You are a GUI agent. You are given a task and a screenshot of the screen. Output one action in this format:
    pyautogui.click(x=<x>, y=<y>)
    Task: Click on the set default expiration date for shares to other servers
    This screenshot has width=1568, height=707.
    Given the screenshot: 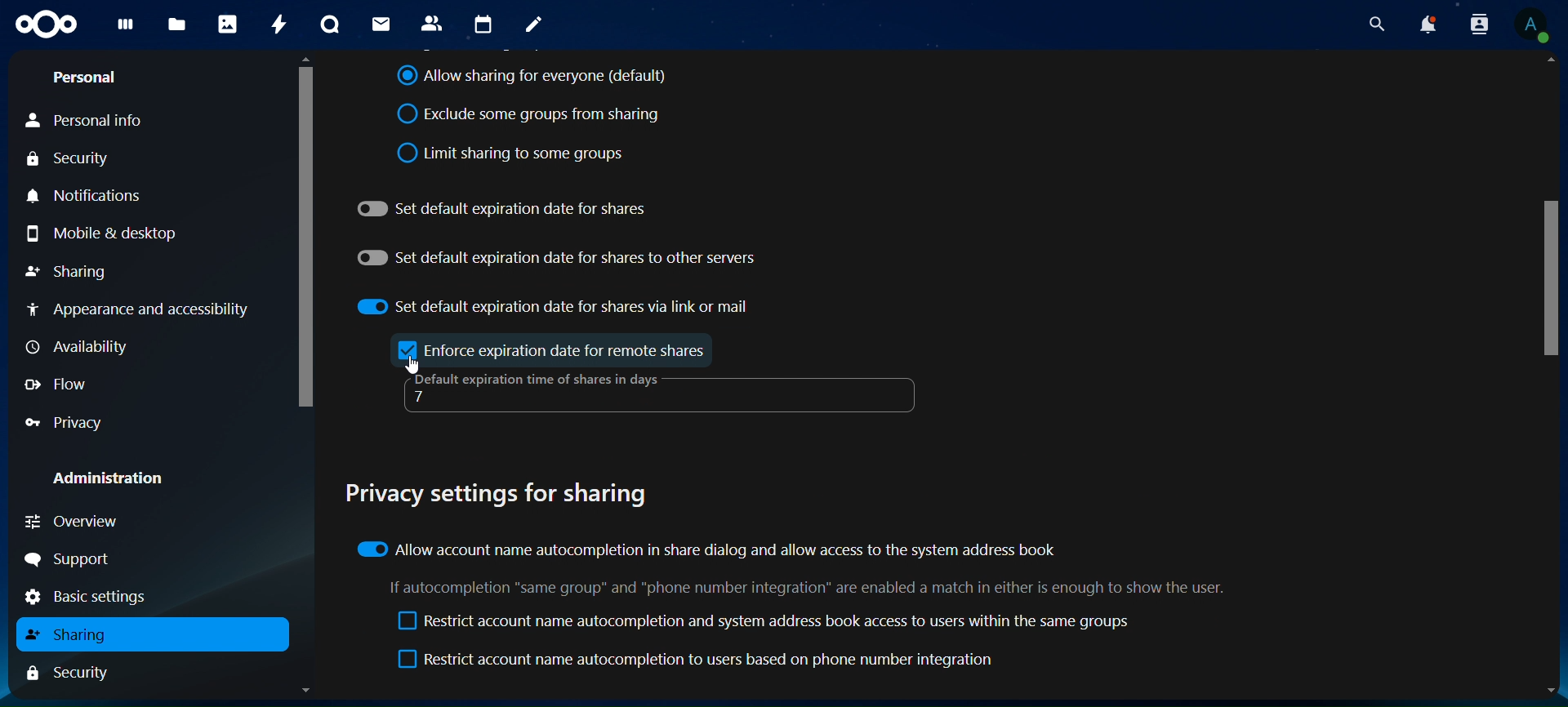 What is the action you would take?
    pyautogui.click(x=557, y=255)
    